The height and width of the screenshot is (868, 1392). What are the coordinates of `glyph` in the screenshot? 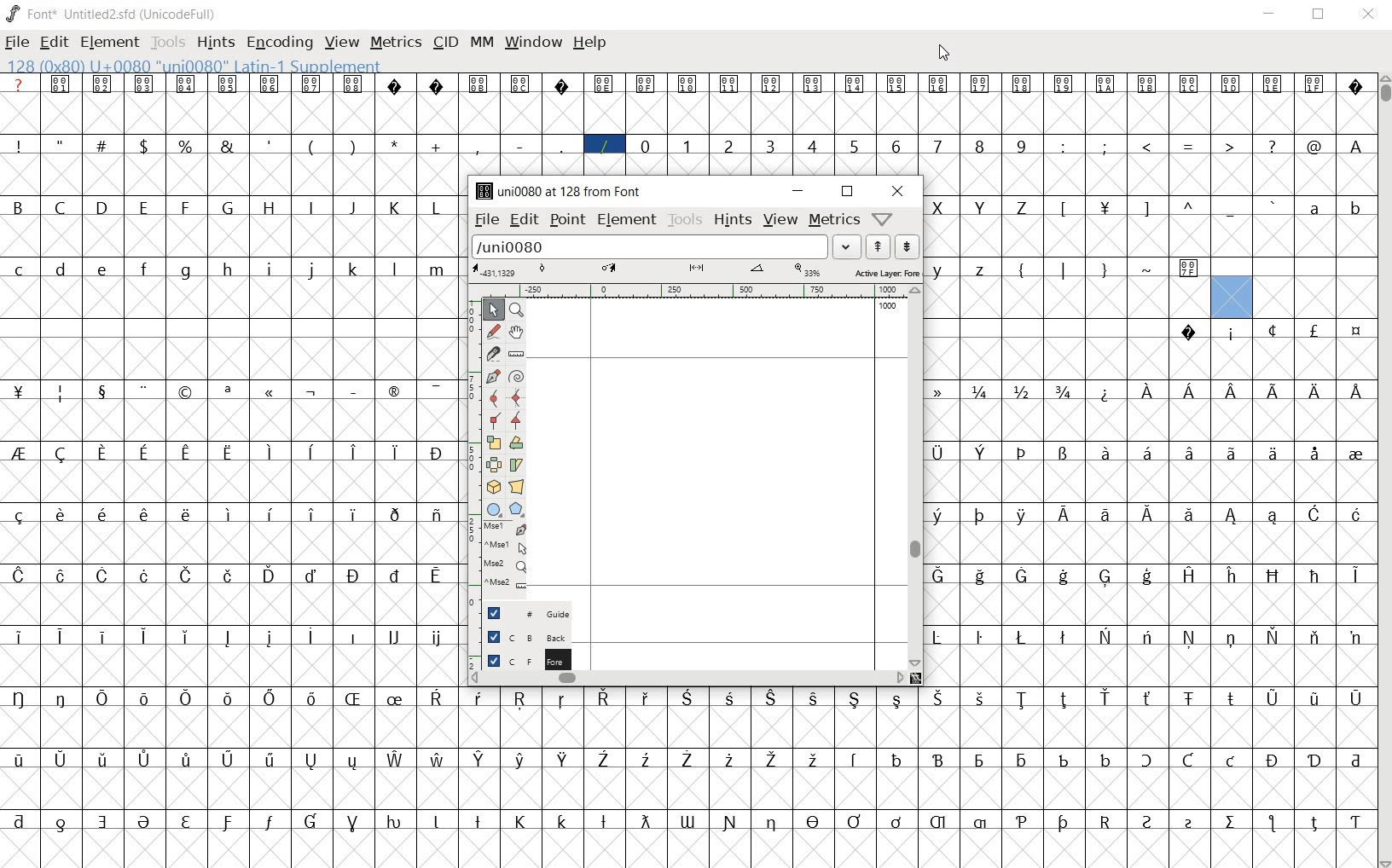 It's located at (438, 270).